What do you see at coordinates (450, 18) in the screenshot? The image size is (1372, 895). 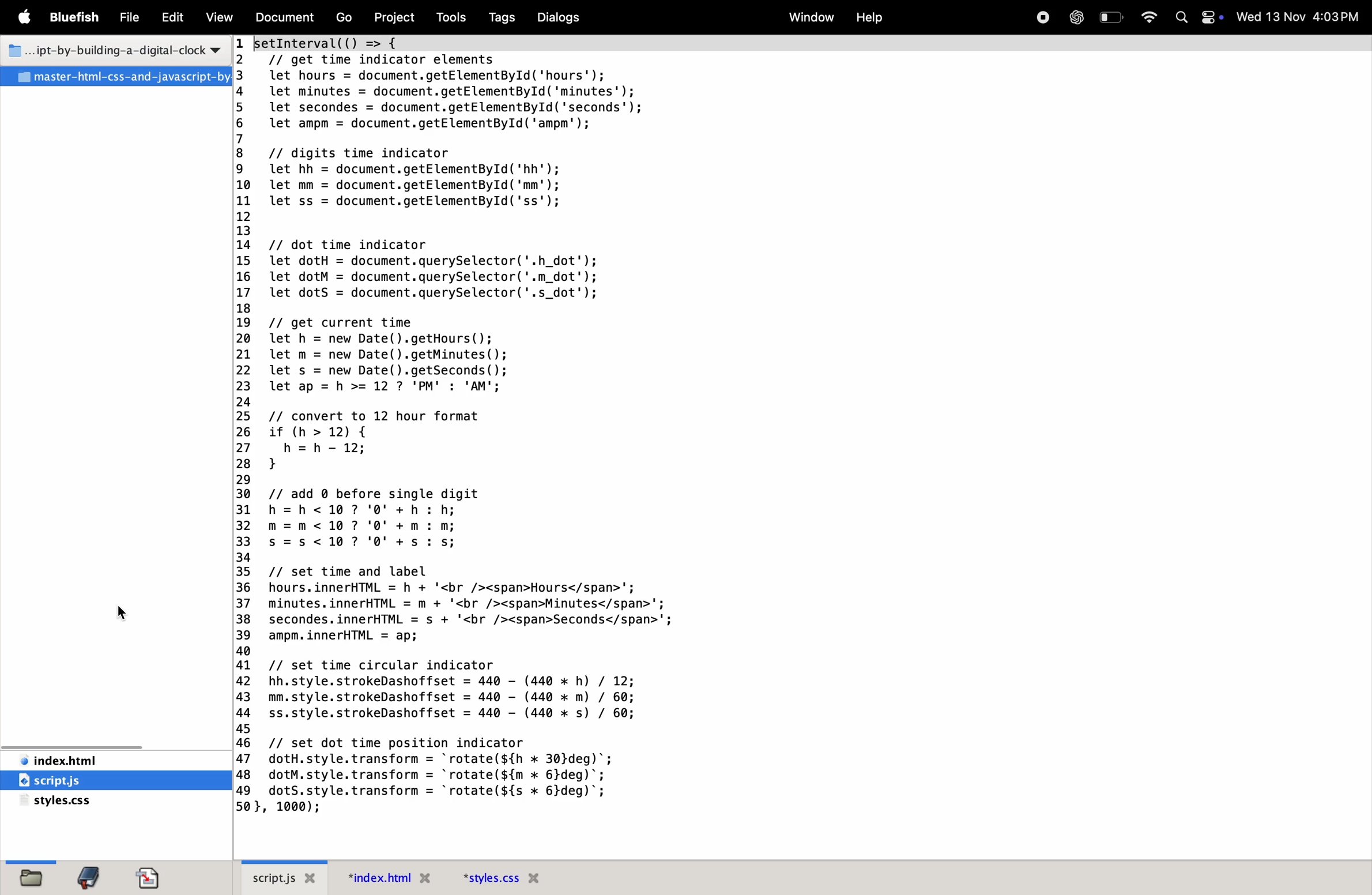 I see `Tools` at bounding box center [450, 18].